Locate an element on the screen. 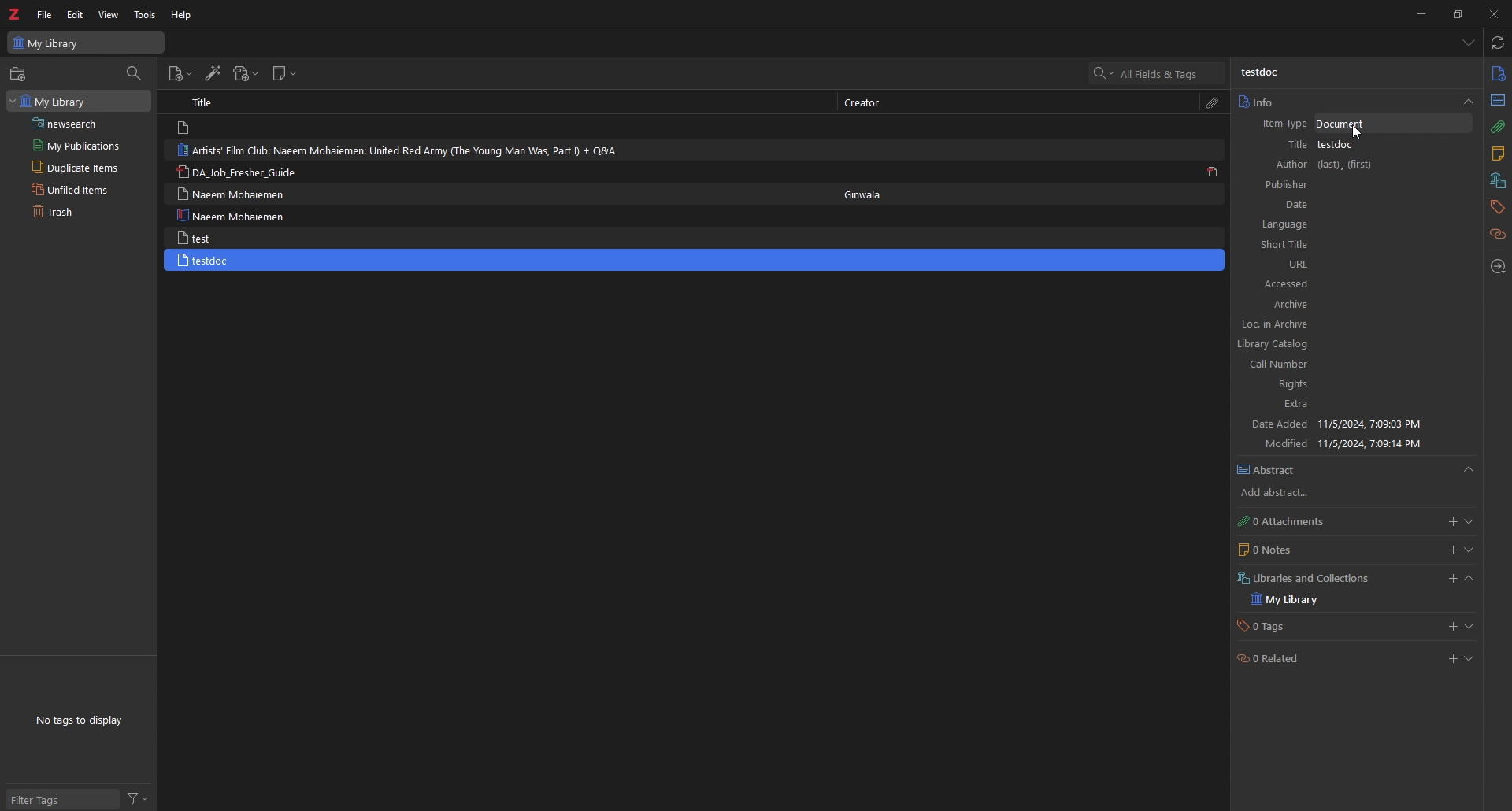 The width and height of the screenshot is (1512, 811). testdoc is located at coordinates (235, 260).